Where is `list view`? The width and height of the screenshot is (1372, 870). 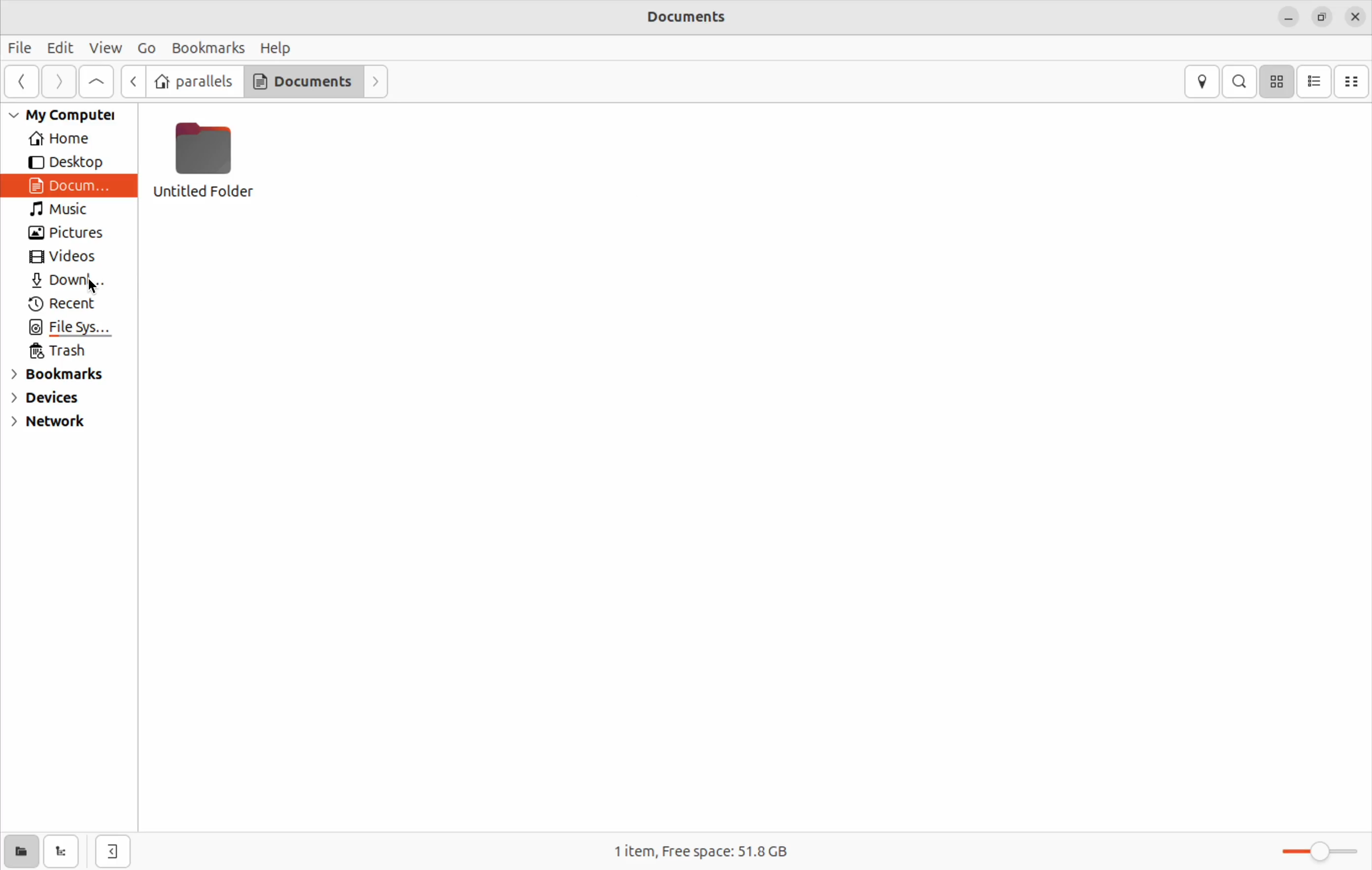
list view is located at coordinates (1314, 81).